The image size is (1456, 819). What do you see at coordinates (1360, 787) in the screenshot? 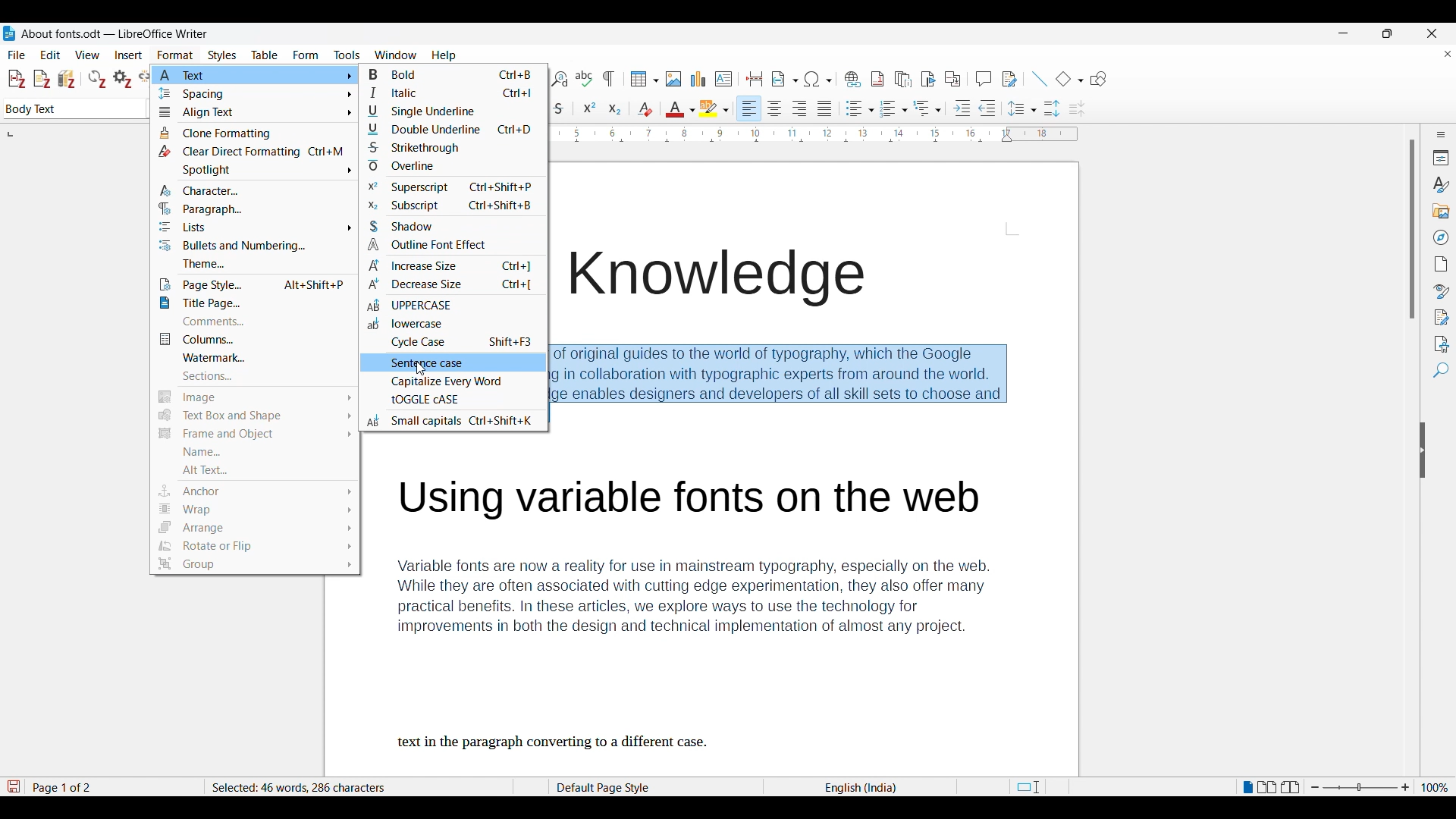
I see `Zoom slider` at bounding box center [1360, 787].